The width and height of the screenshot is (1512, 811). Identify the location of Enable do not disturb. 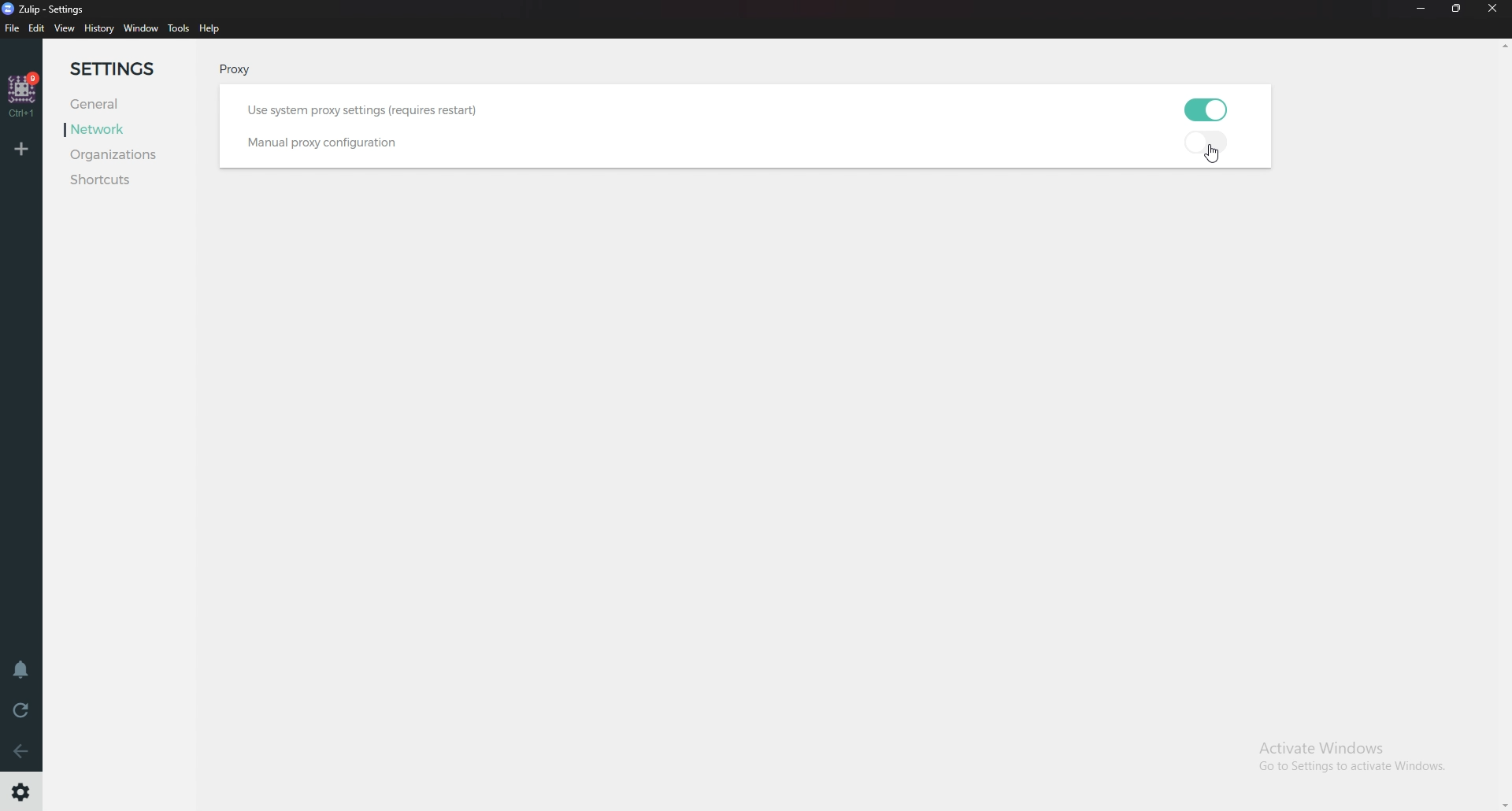
(22, 670).